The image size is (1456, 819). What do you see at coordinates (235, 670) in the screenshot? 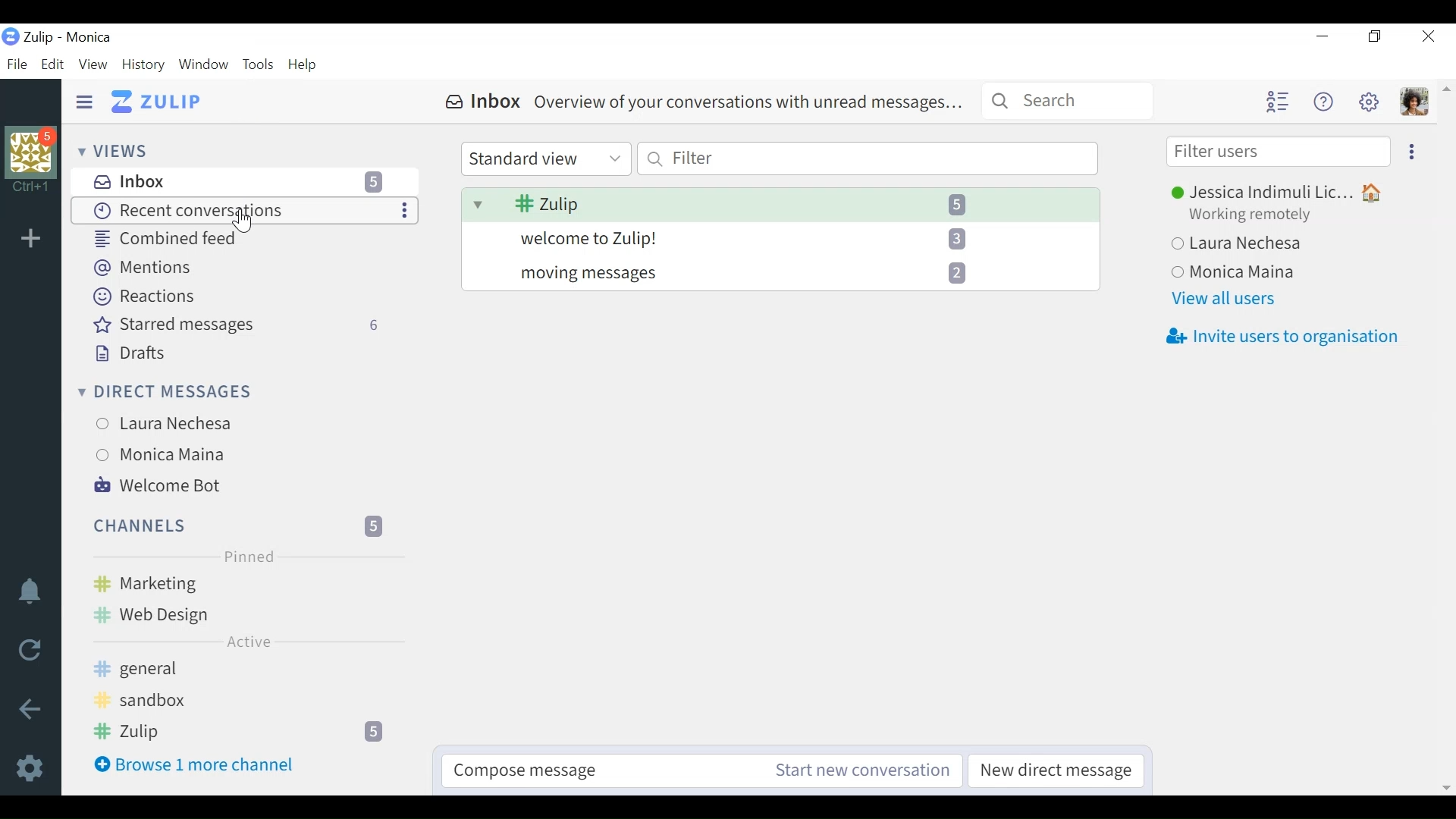
I see `general` at bounding box center [235, 670].